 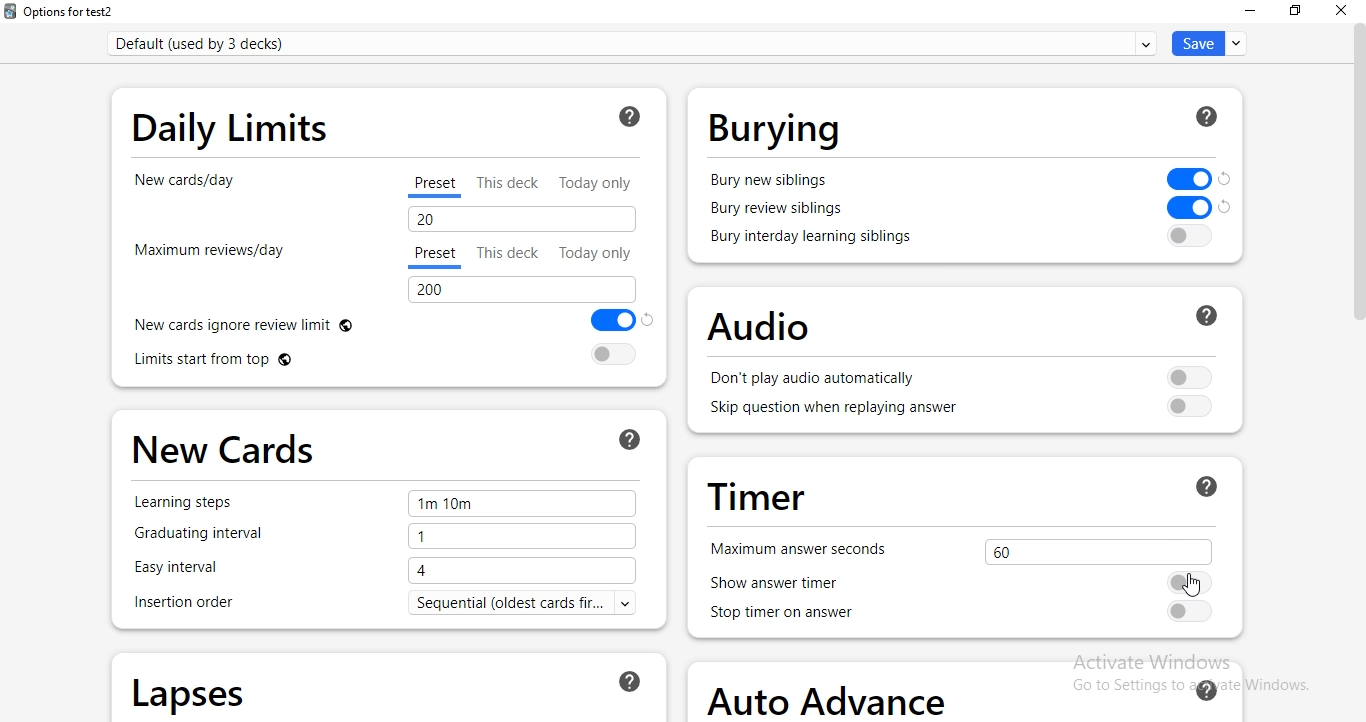 I want to click on limts, so click(x=387, y=358).